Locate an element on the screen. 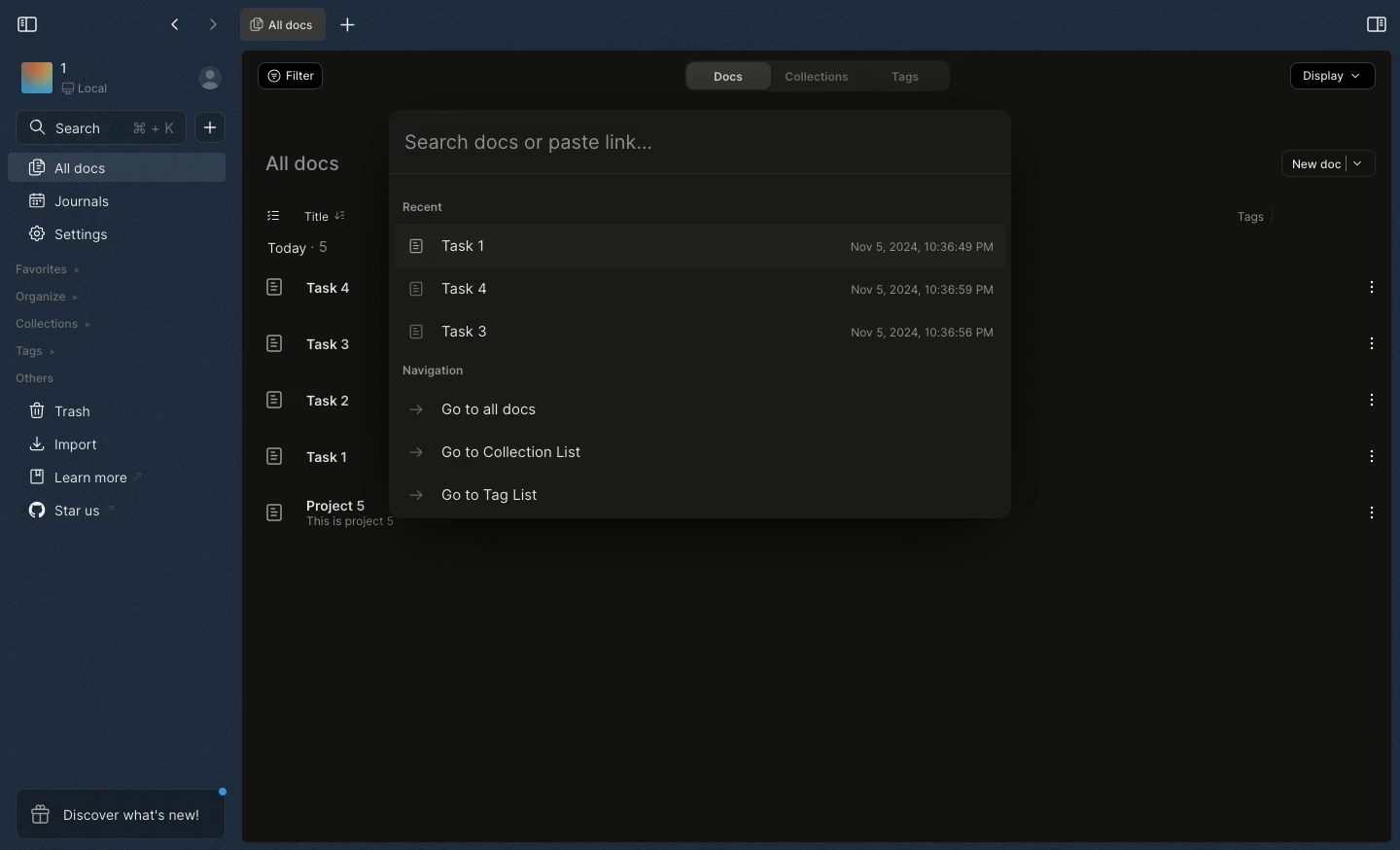 Image resolution: width=1400 pixels, height=850 pixels. Go to all docs is located at coordinates (476, 407).